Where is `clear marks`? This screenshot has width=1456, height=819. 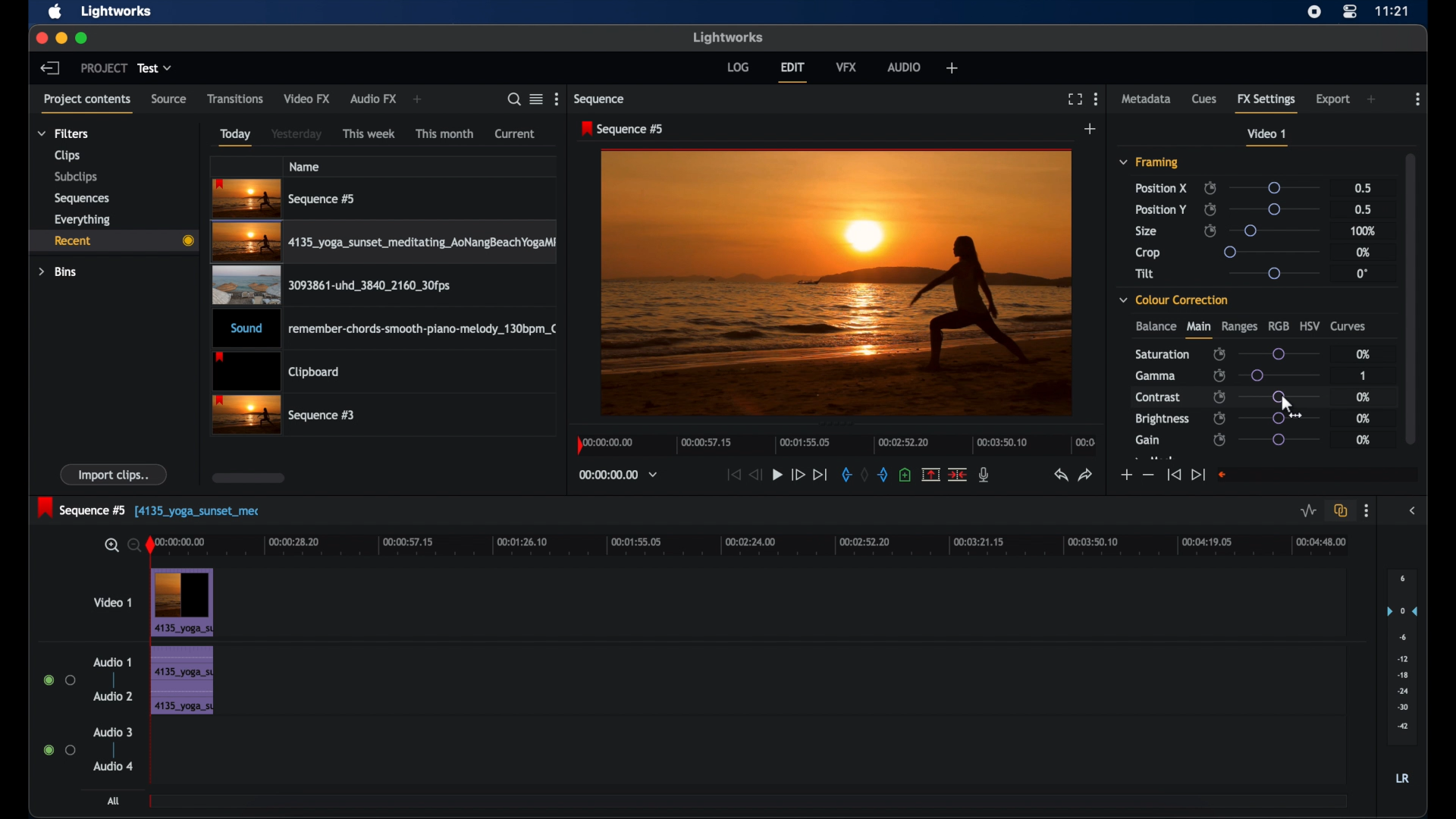 clear marks is located at coordinates (864, 475).